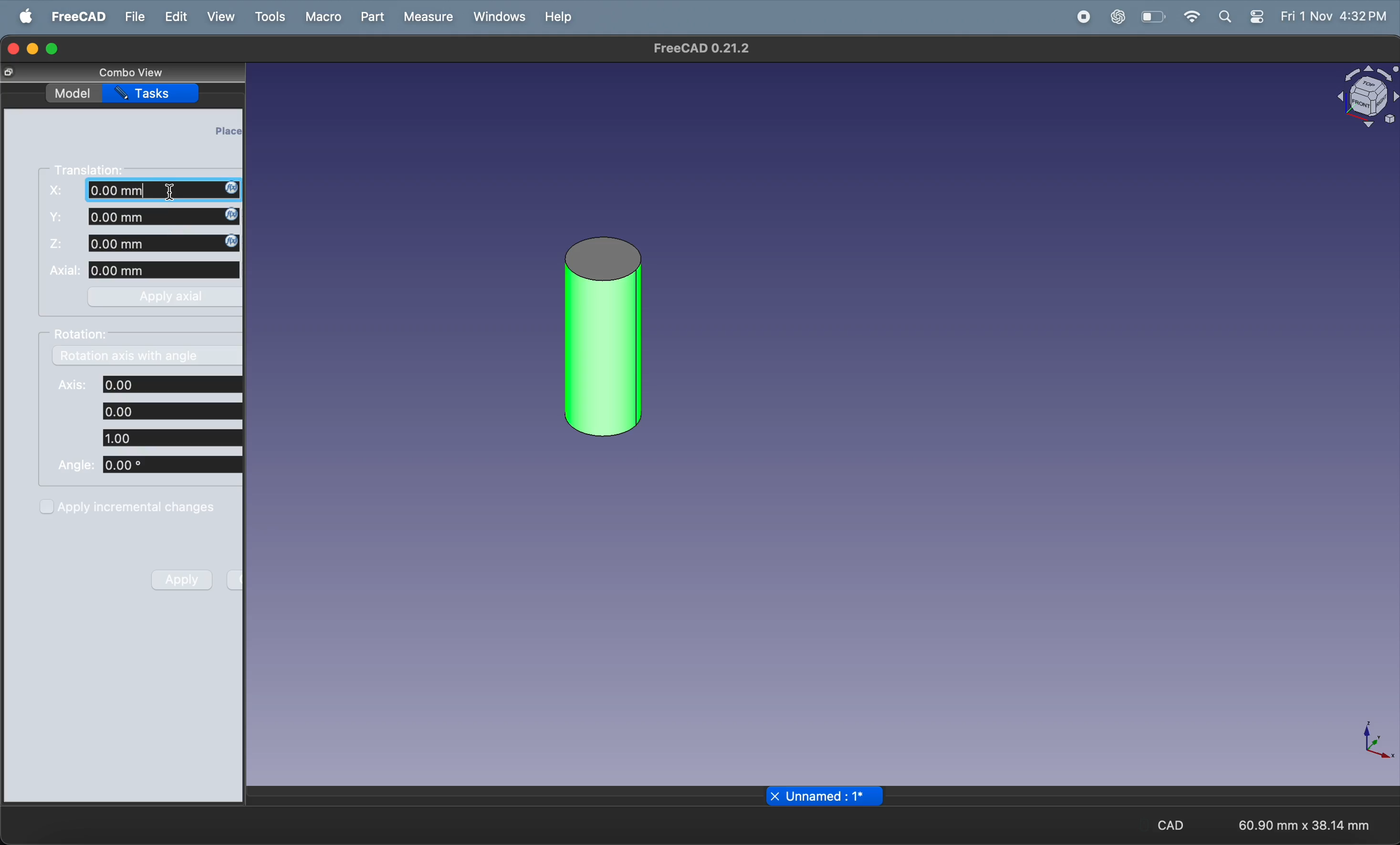 This screenshot has width=1400, height=845. Describe the element at coordinates (173, 411) in the screenshot. I see `axis coordinates` at that location.